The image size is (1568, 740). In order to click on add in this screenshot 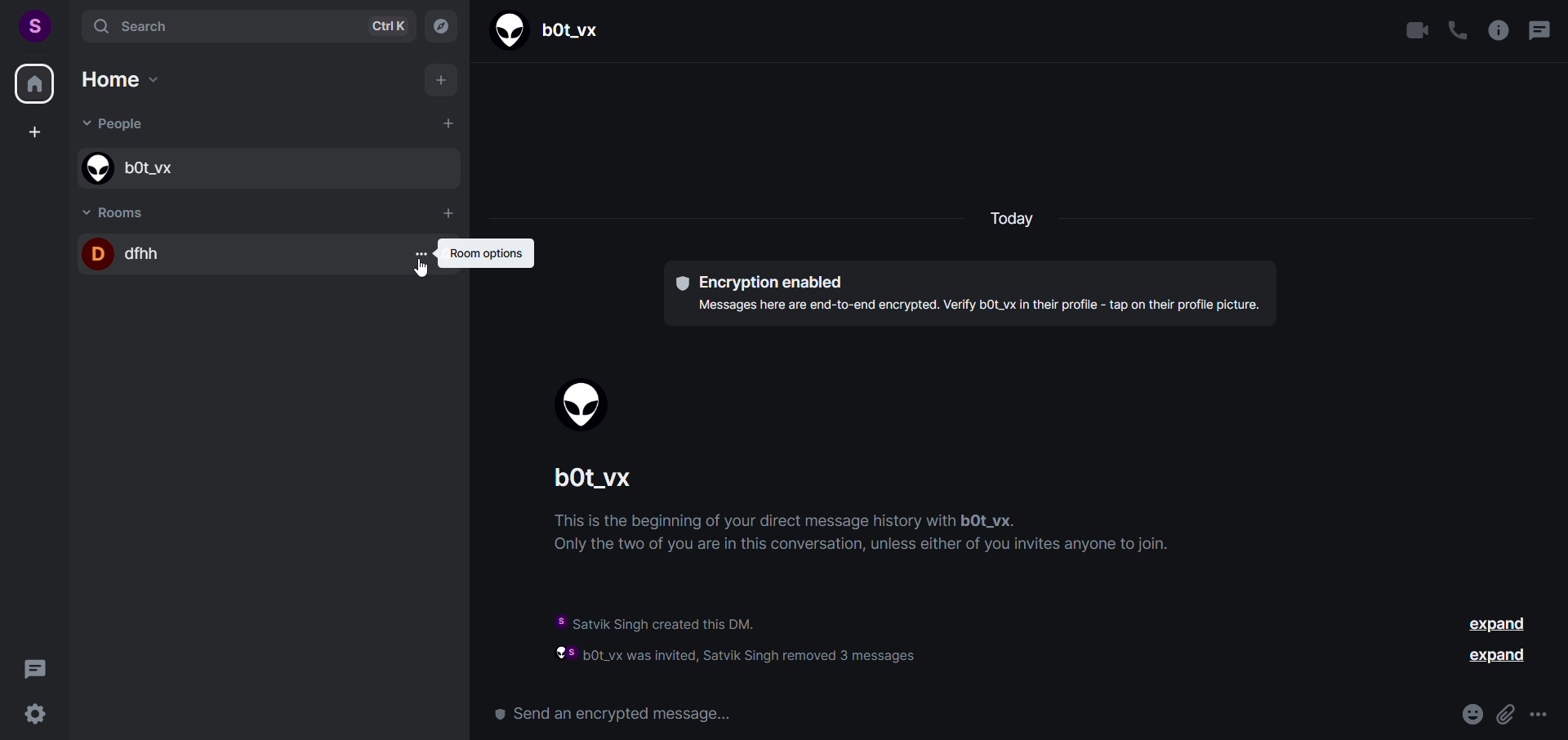, I will do `click(443, 82)`.